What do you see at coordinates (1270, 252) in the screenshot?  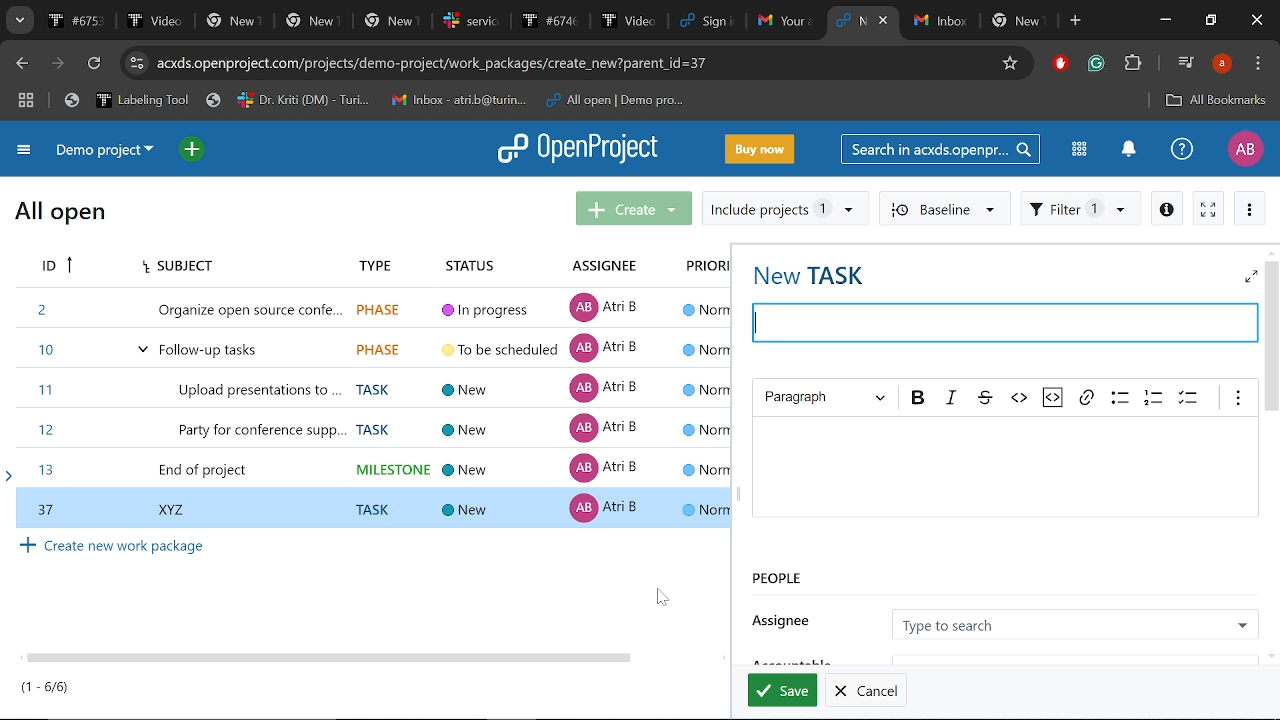 I see `Move up` at bounding box center [1270, 252].